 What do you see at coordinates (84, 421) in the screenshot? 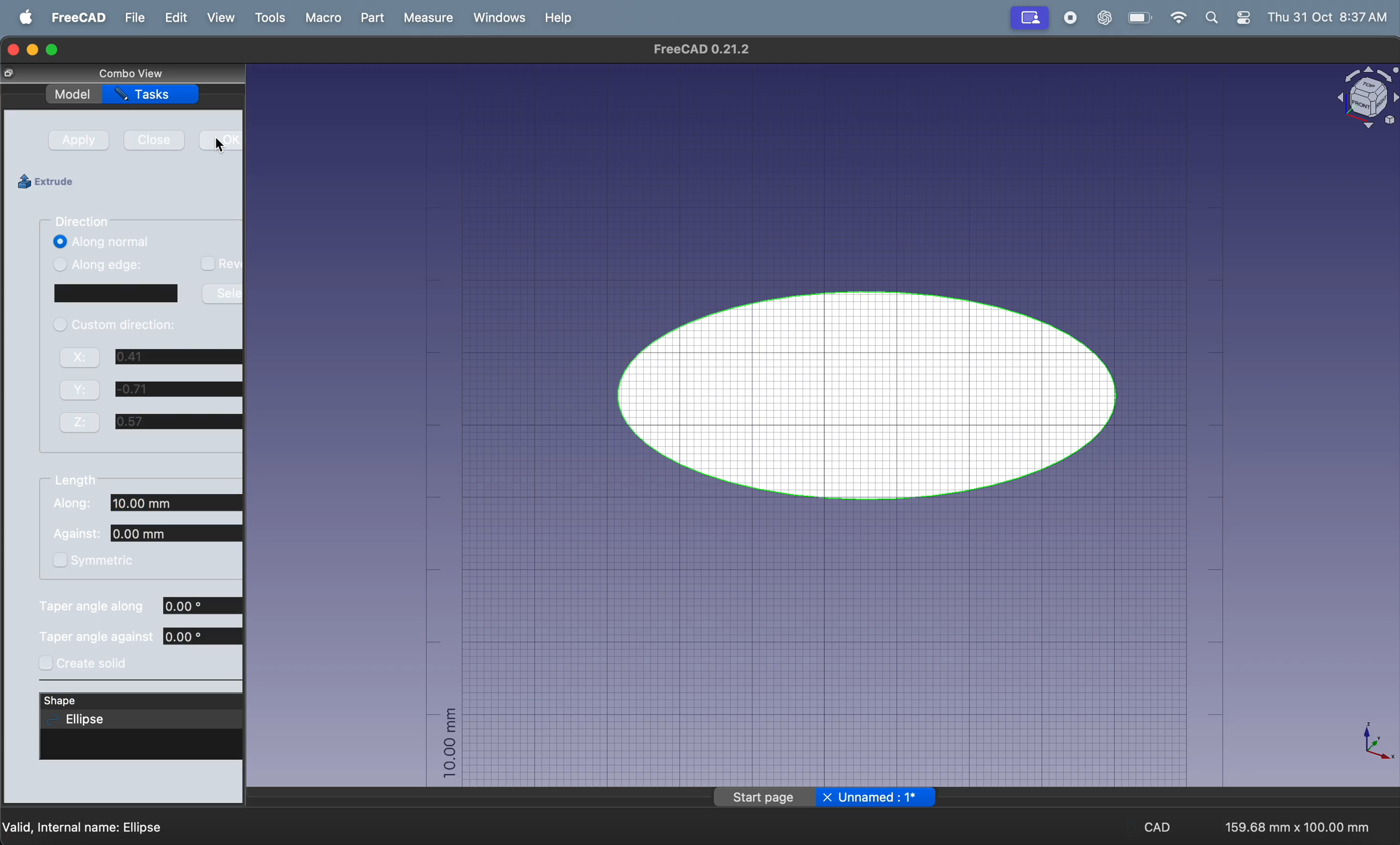
I see `x coordinate` at bounding box center [84, 421].